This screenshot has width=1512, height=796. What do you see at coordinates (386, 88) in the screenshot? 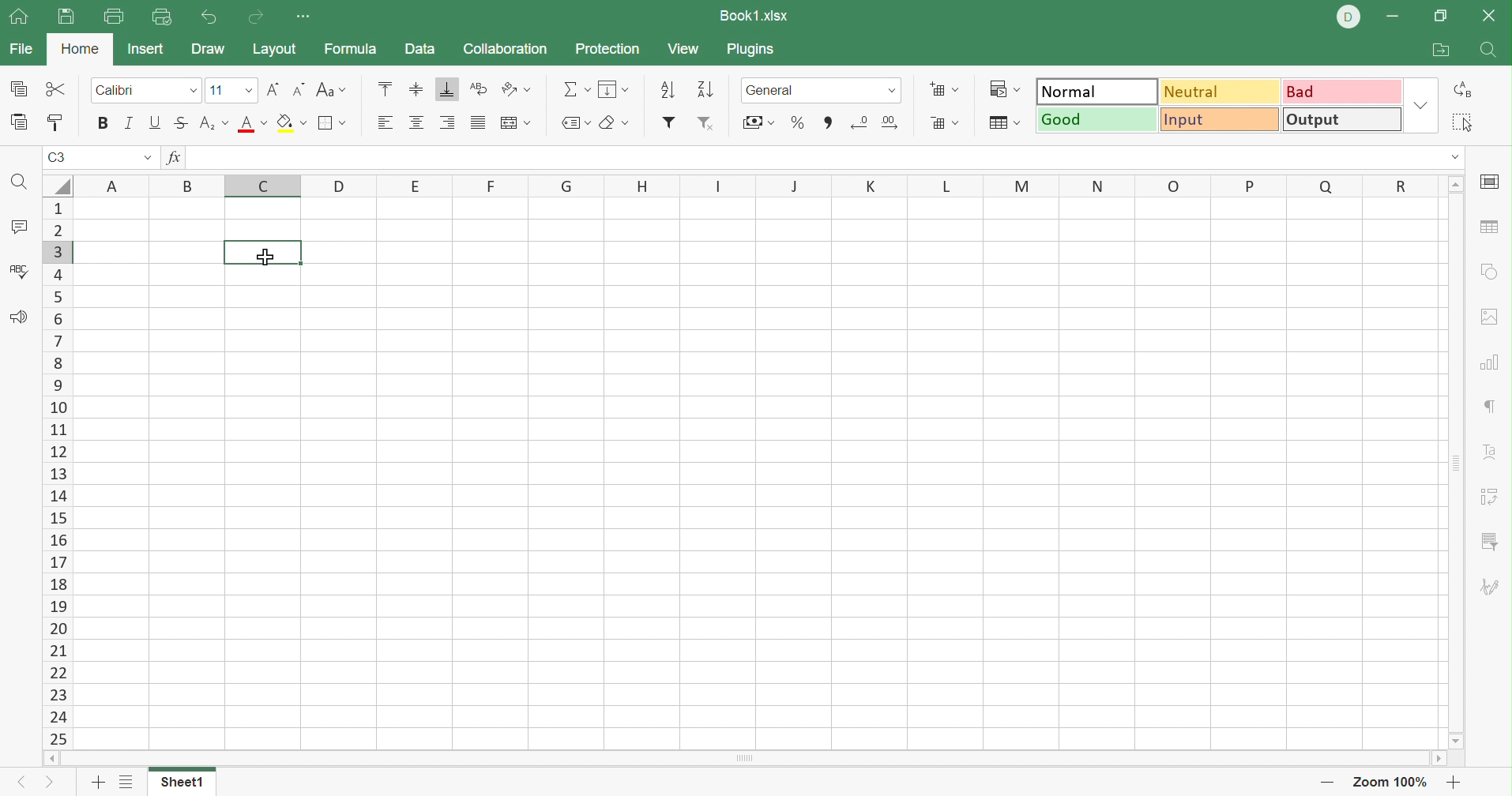
I see `Align top` at bounding box center [386, 88].